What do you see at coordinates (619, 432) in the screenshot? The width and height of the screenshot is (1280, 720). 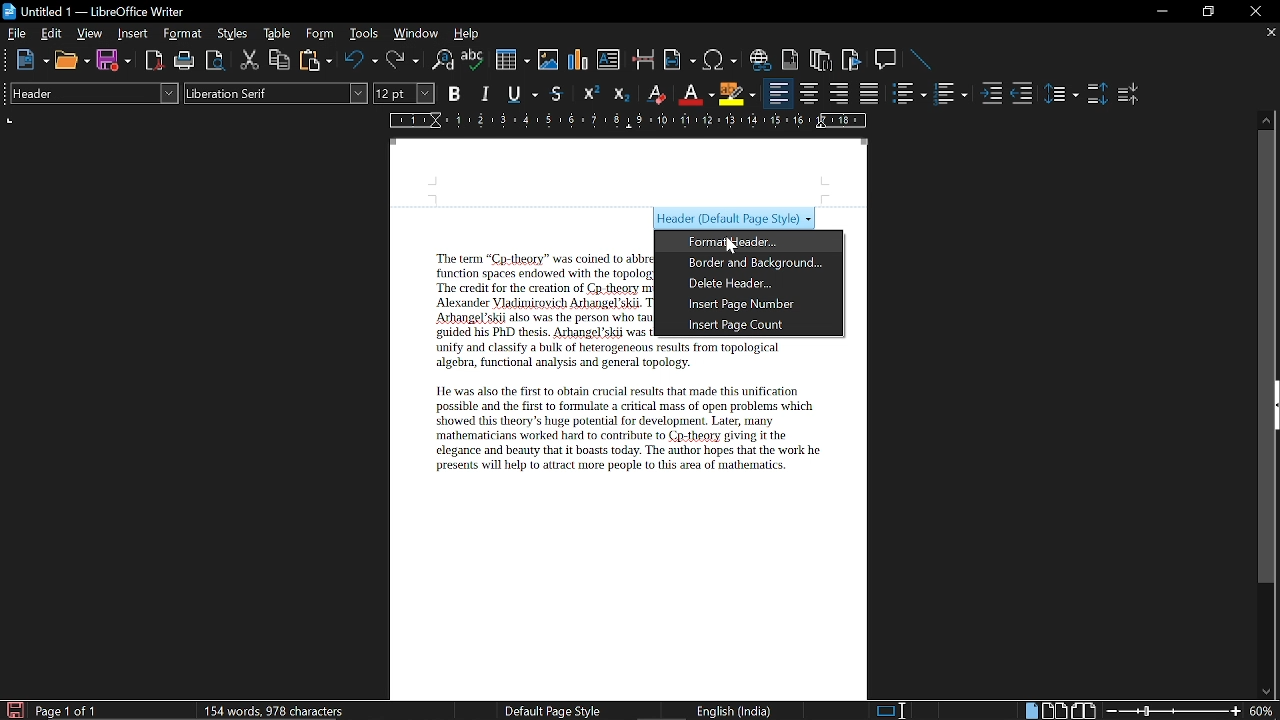 I see `Text` at bounding box center [619, 432].